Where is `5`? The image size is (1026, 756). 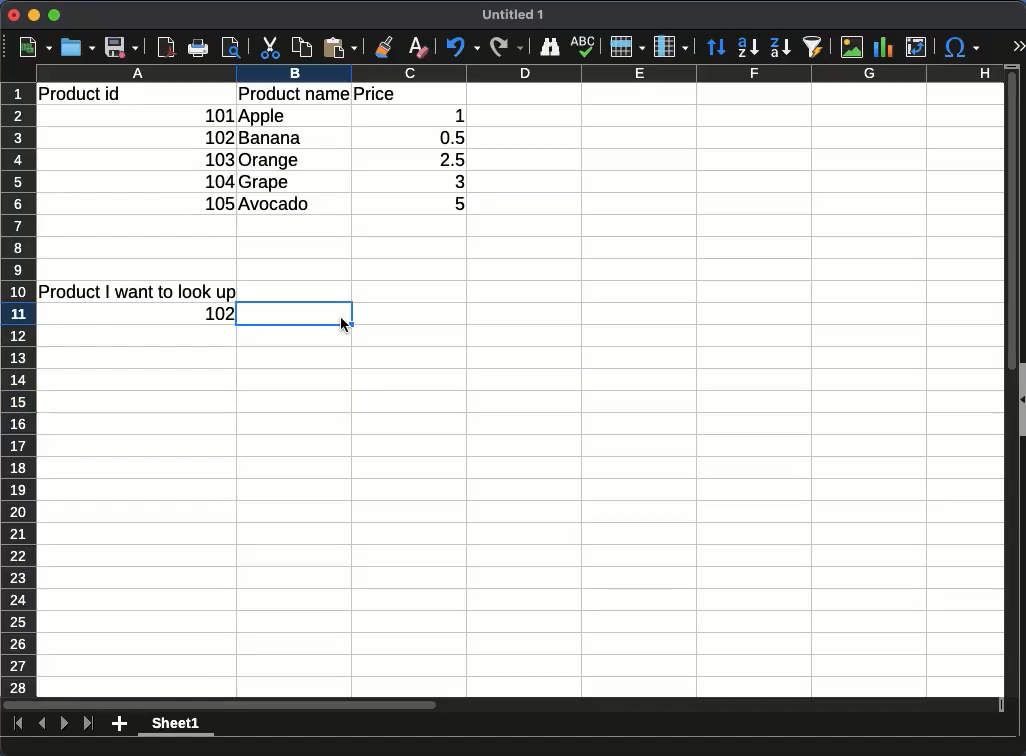 5 is located at coordinates (449, 203).